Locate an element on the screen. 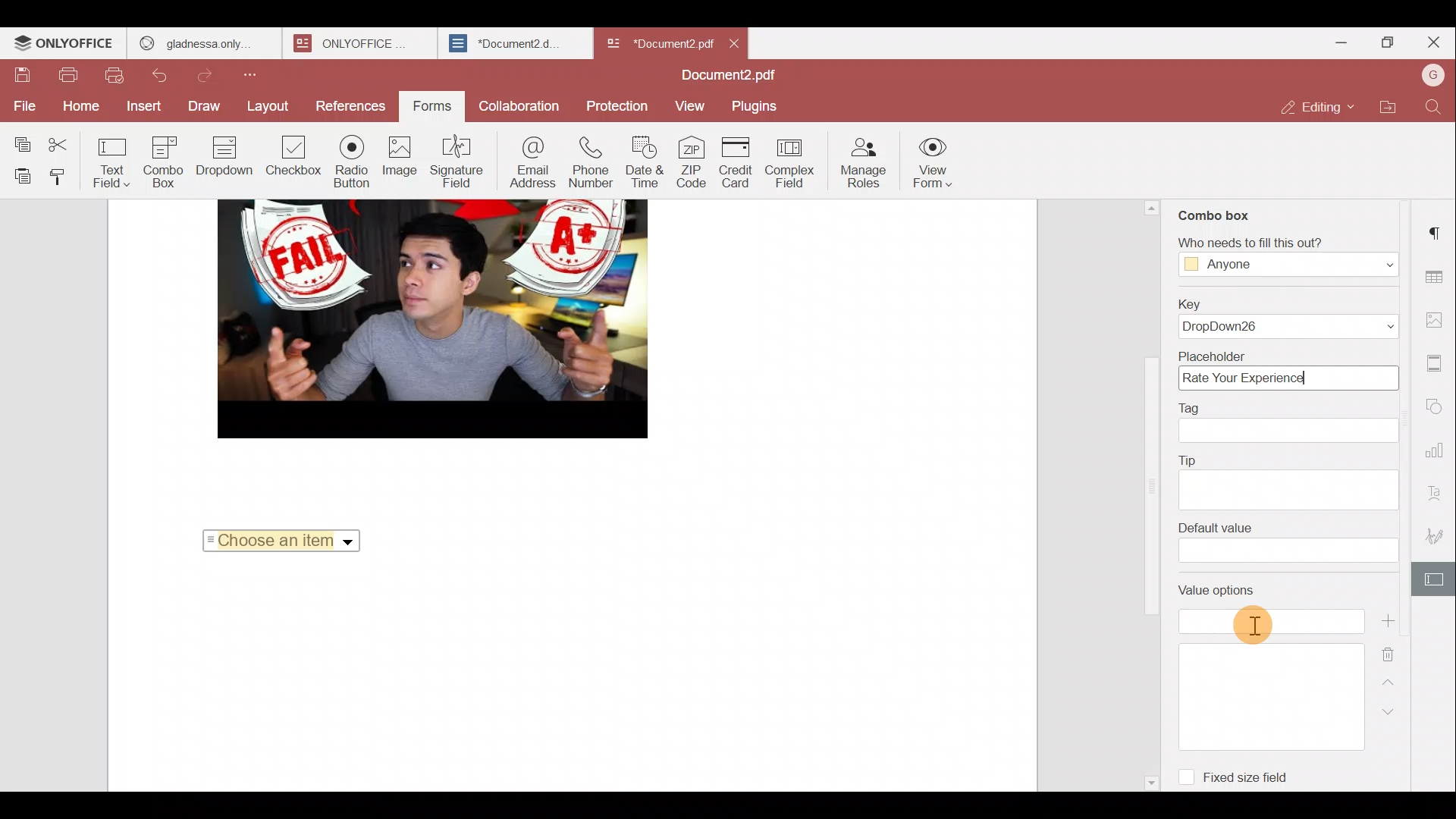  Tip is located at coordinates (1289, 479).